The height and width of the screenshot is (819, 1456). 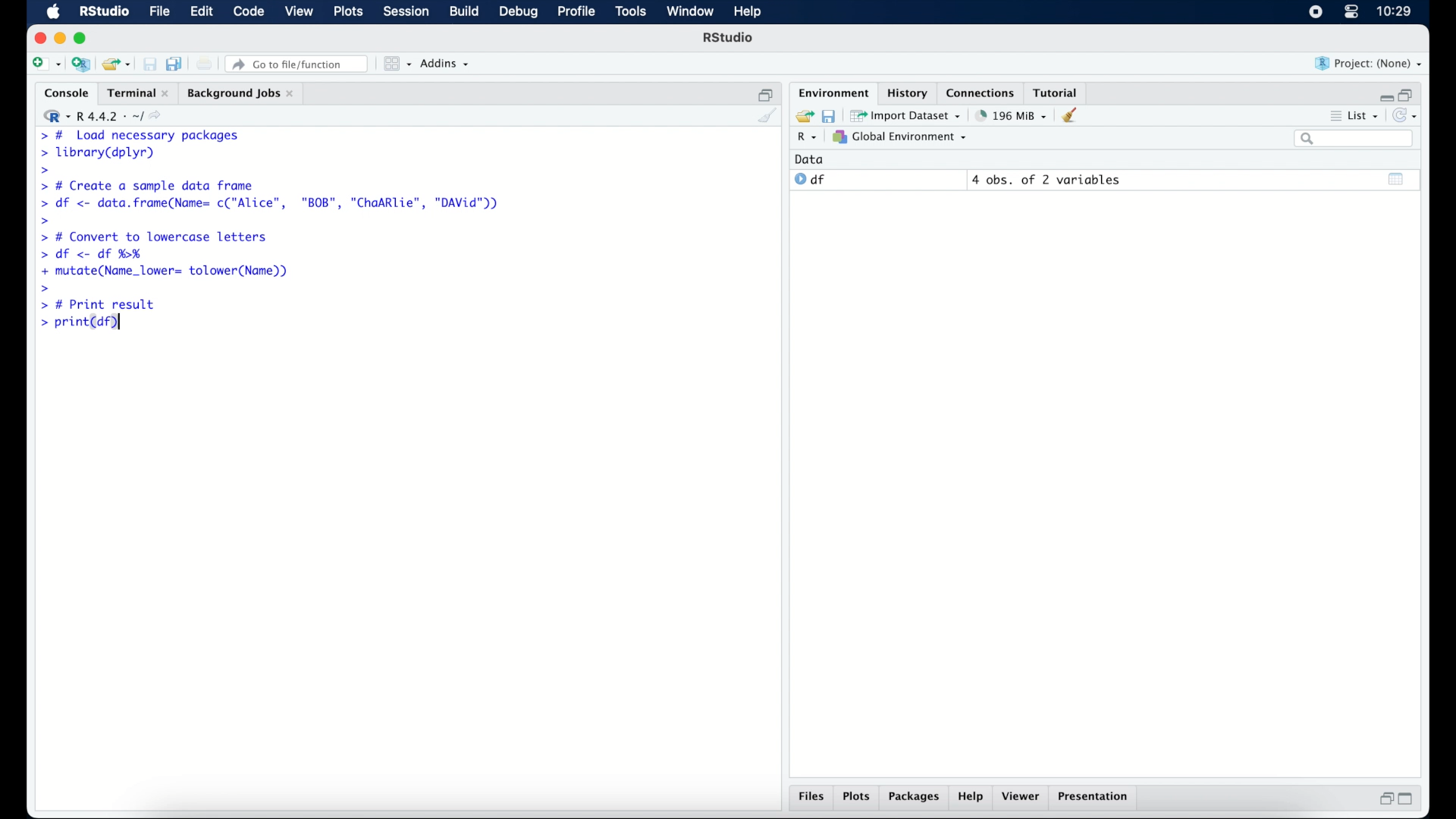 What do you see at coordinates (240, 93) in the screenshot?
I see `background jobs` at bounding box center [240, 93].